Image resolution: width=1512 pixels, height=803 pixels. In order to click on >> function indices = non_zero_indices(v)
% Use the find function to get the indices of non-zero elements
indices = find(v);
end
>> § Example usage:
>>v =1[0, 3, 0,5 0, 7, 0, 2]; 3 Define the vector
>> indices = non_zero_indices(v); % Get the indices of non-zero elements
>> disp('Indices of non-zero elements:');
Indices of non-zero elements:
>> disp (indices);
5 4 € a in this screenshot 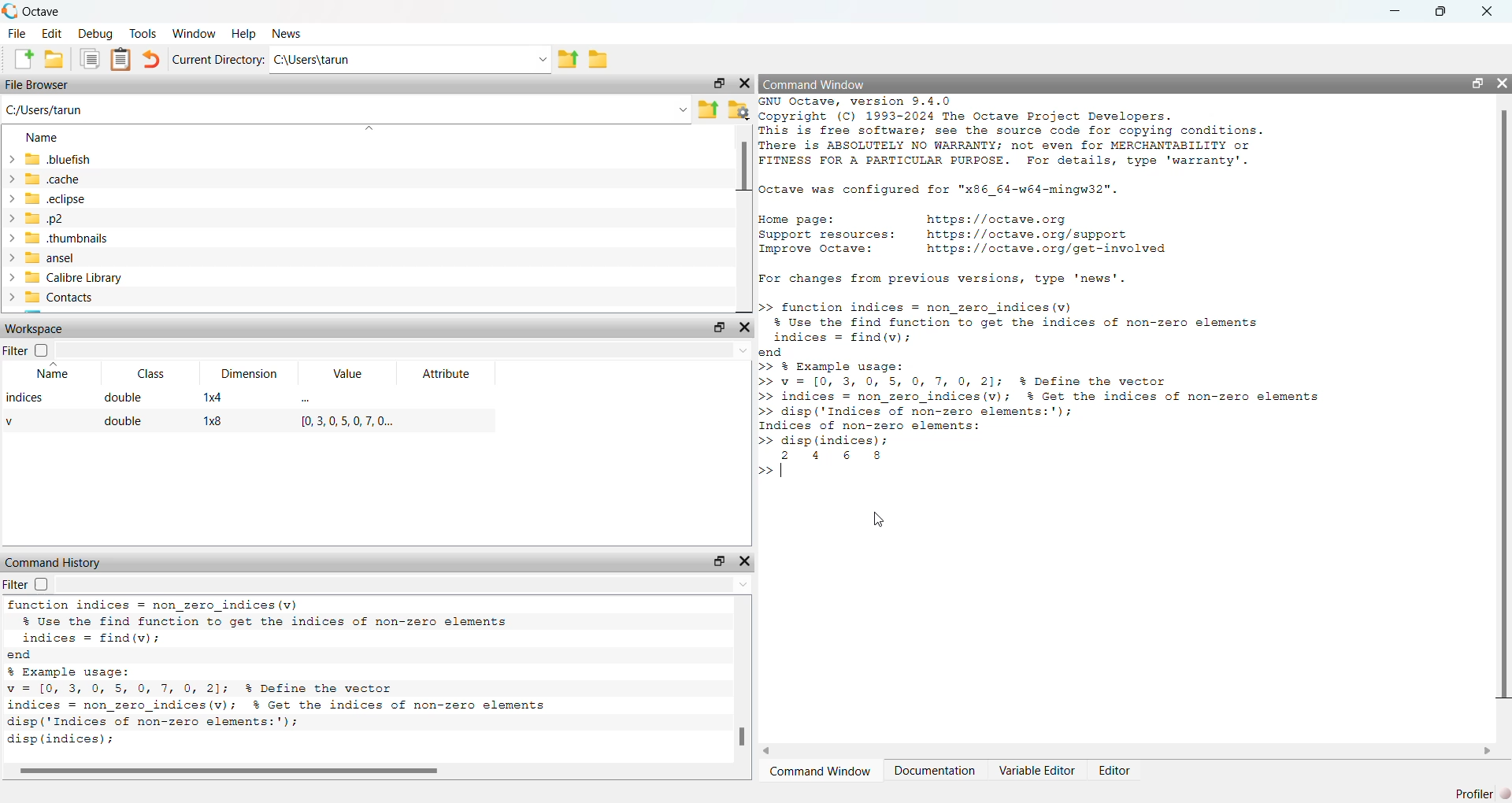, I will do `click(1059, 375)`.